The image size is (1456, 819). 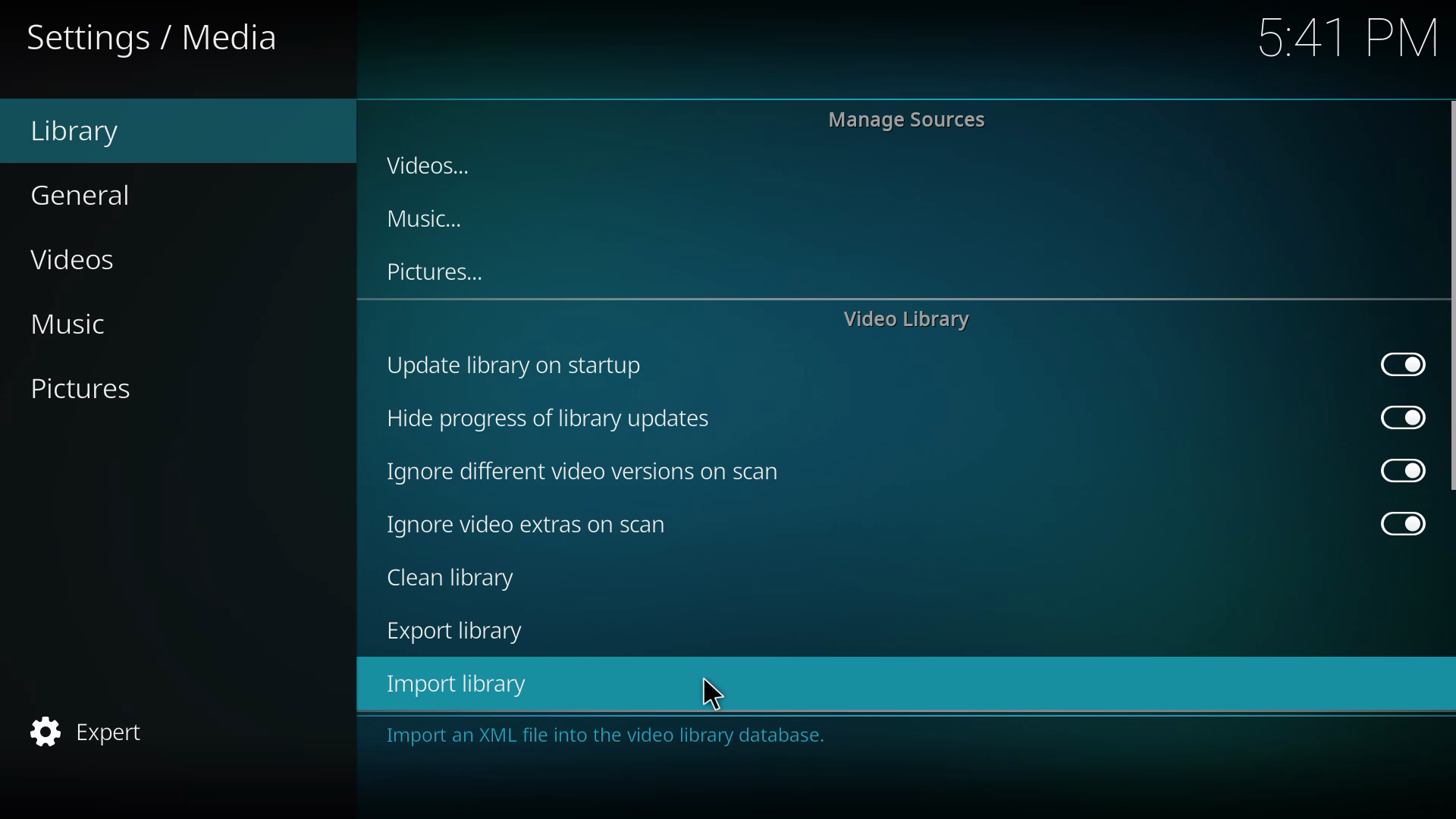 I want to click on settings/media, so click(x=147, y=41).